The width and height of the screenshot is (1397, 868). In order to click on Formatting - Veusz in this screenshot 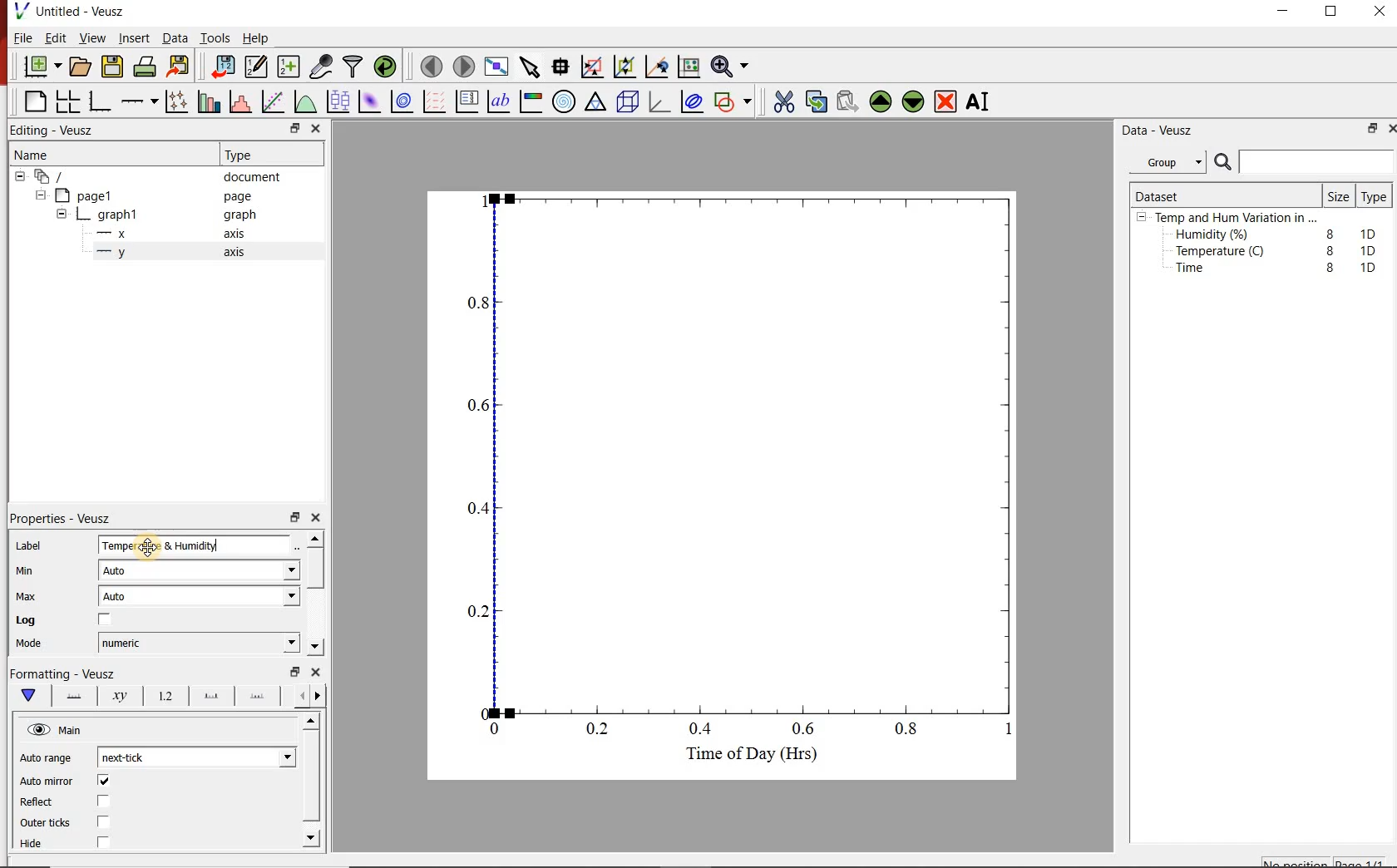, I will do `click(67, 675)`.